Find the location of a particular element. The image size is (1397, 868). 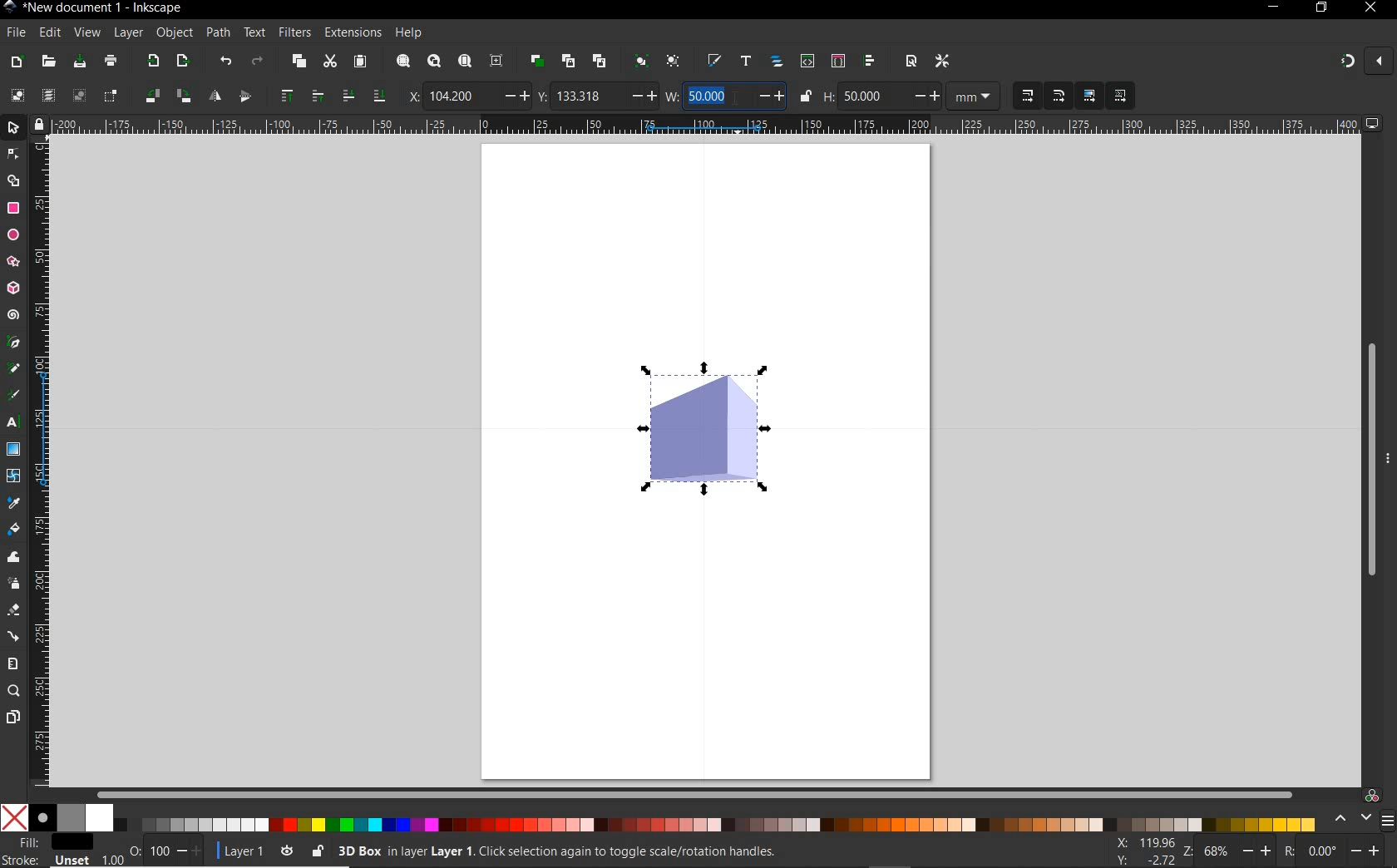

edit is located at coordinates (48, 33).